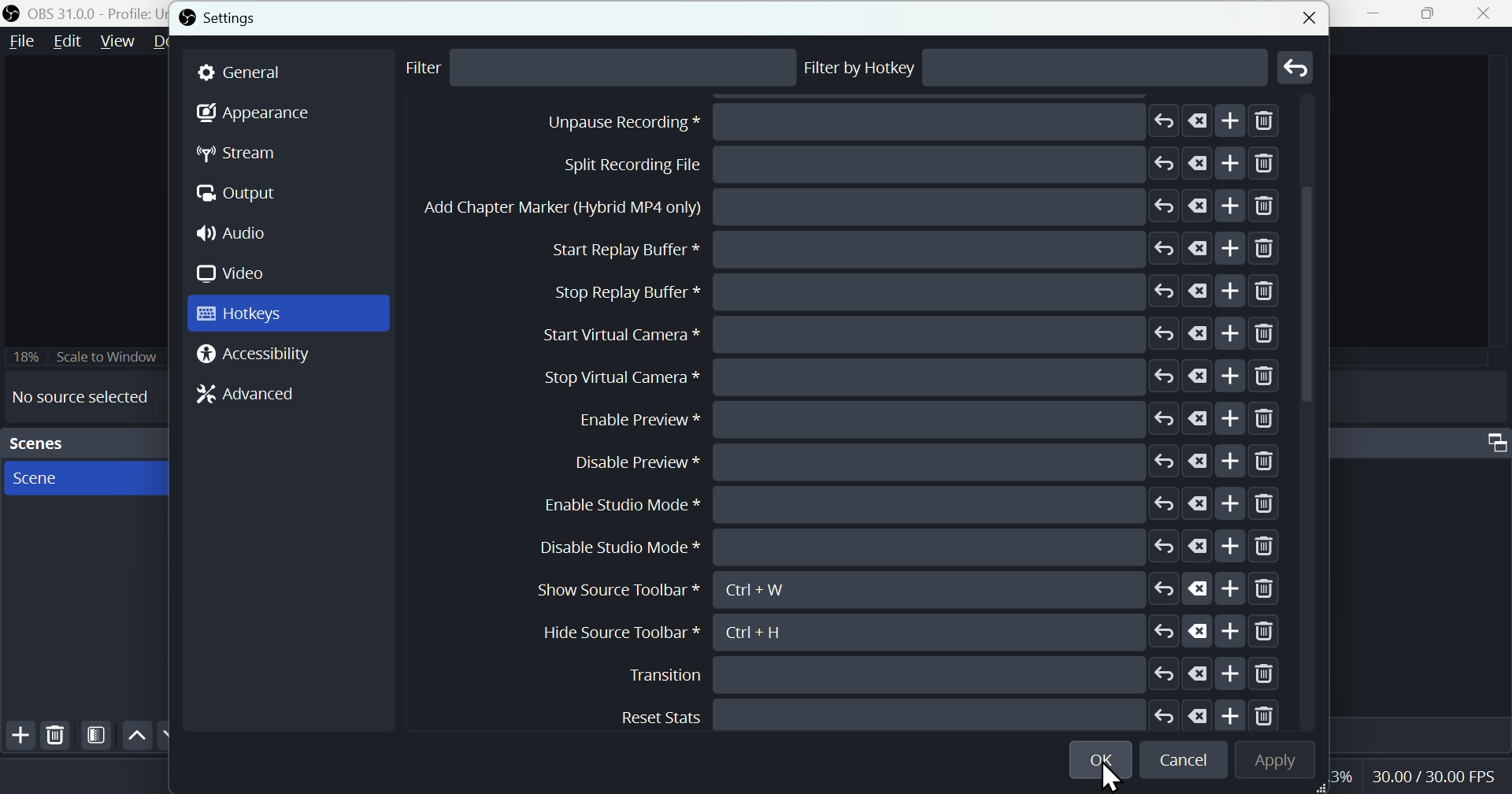  What do you see at coordinates (1306, 15) in the screenshot?
I see `close` at bounding box center [1306, 15].